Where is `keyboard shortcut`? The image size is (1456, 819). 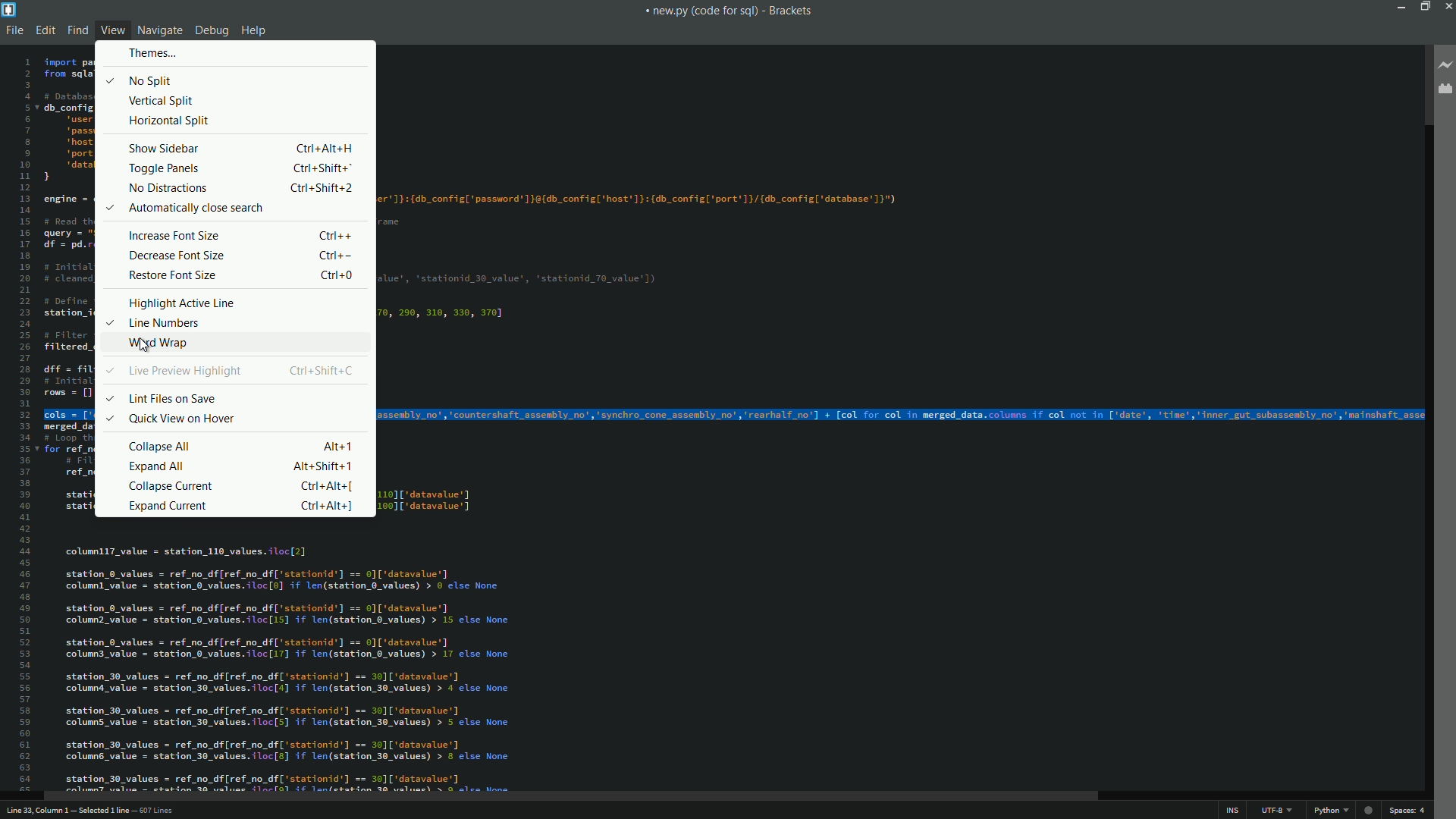
keyboard shortcut is located at coordinates (325, 186).